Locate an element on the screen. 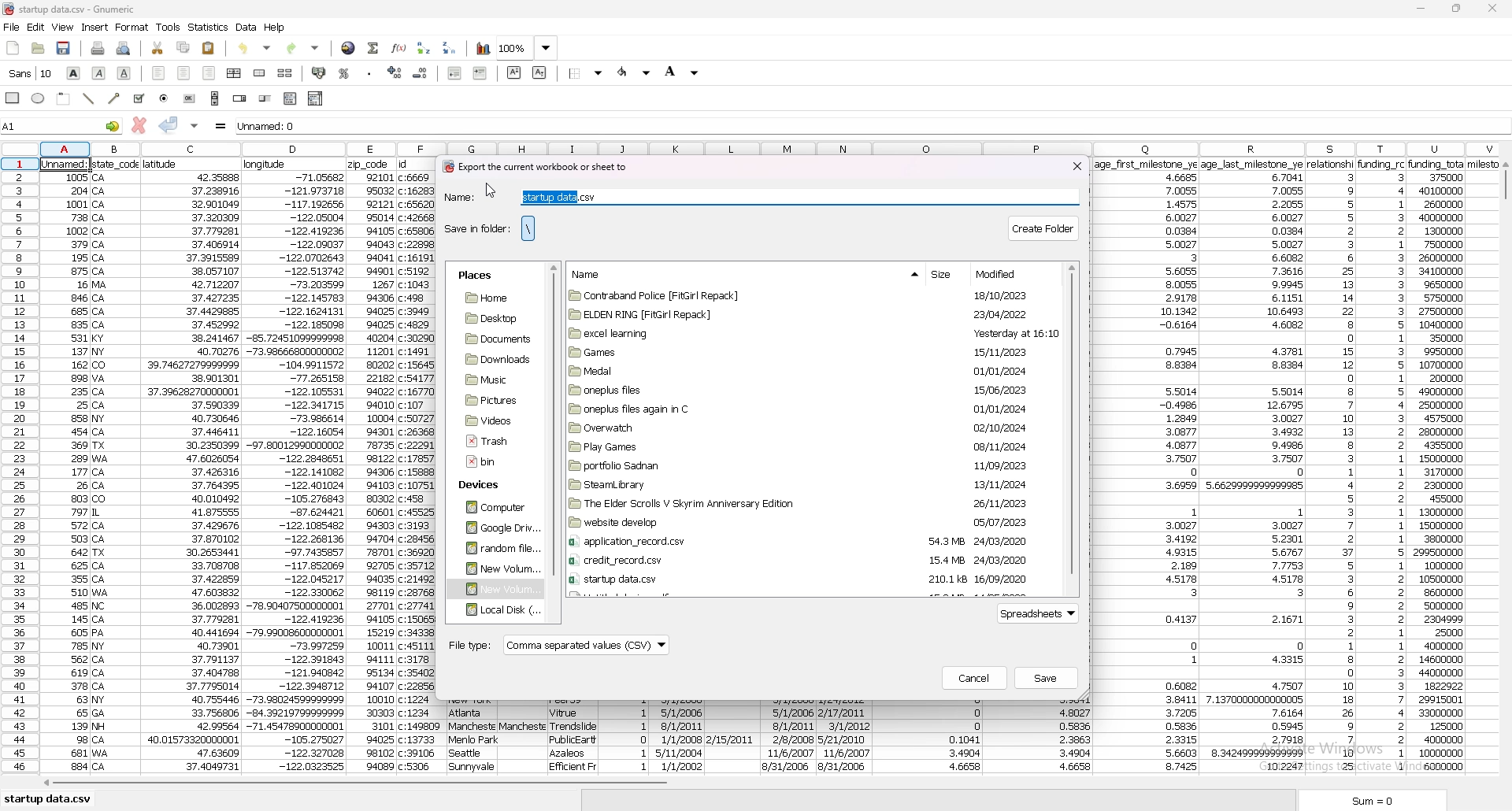 This screenshot has width=1512, height=811. folder is located at coordinates (493, 508).